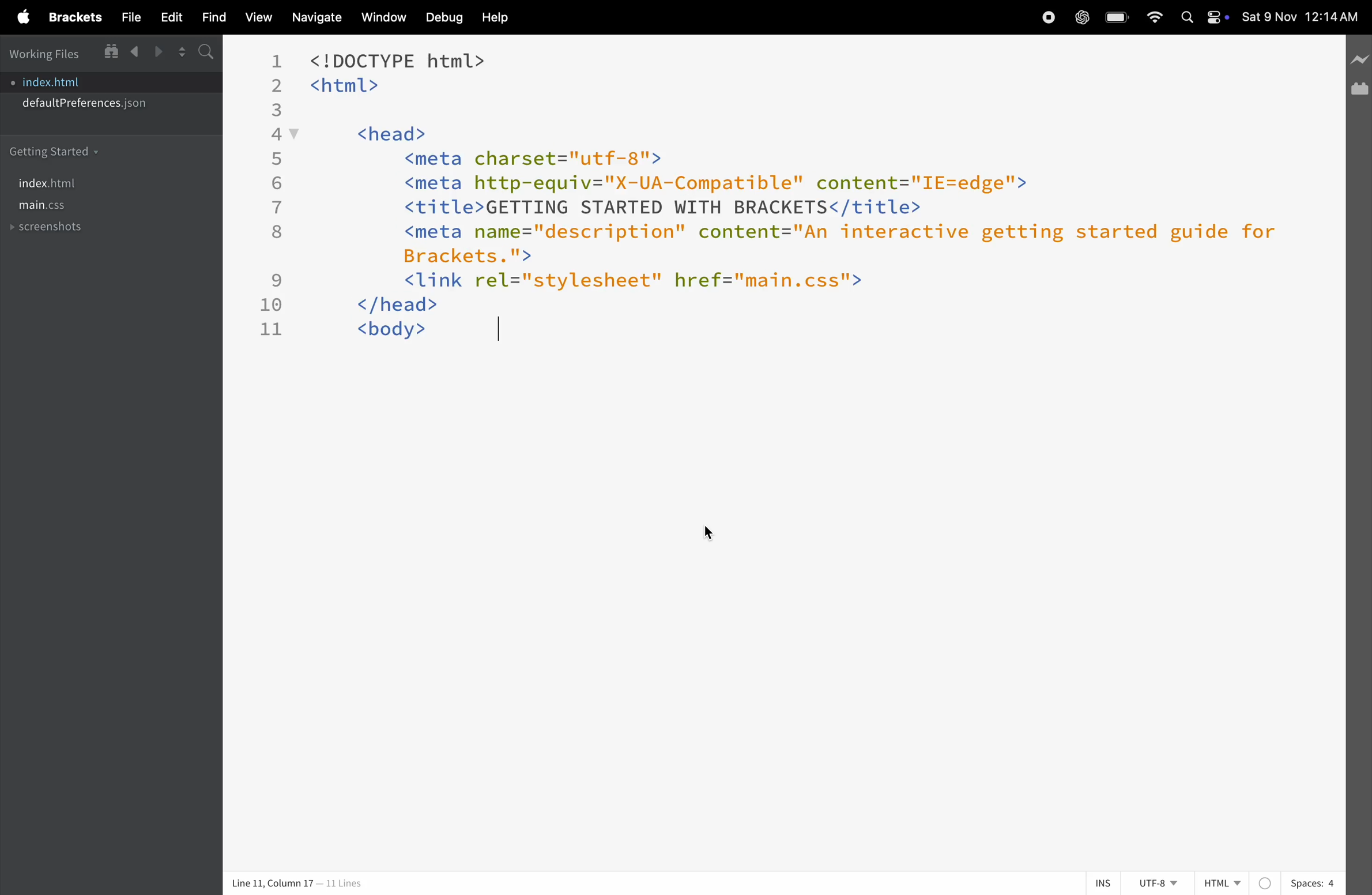  Describe the element at coordinates (109, 105) in the screenshot. I see `default prefrences` at that location.